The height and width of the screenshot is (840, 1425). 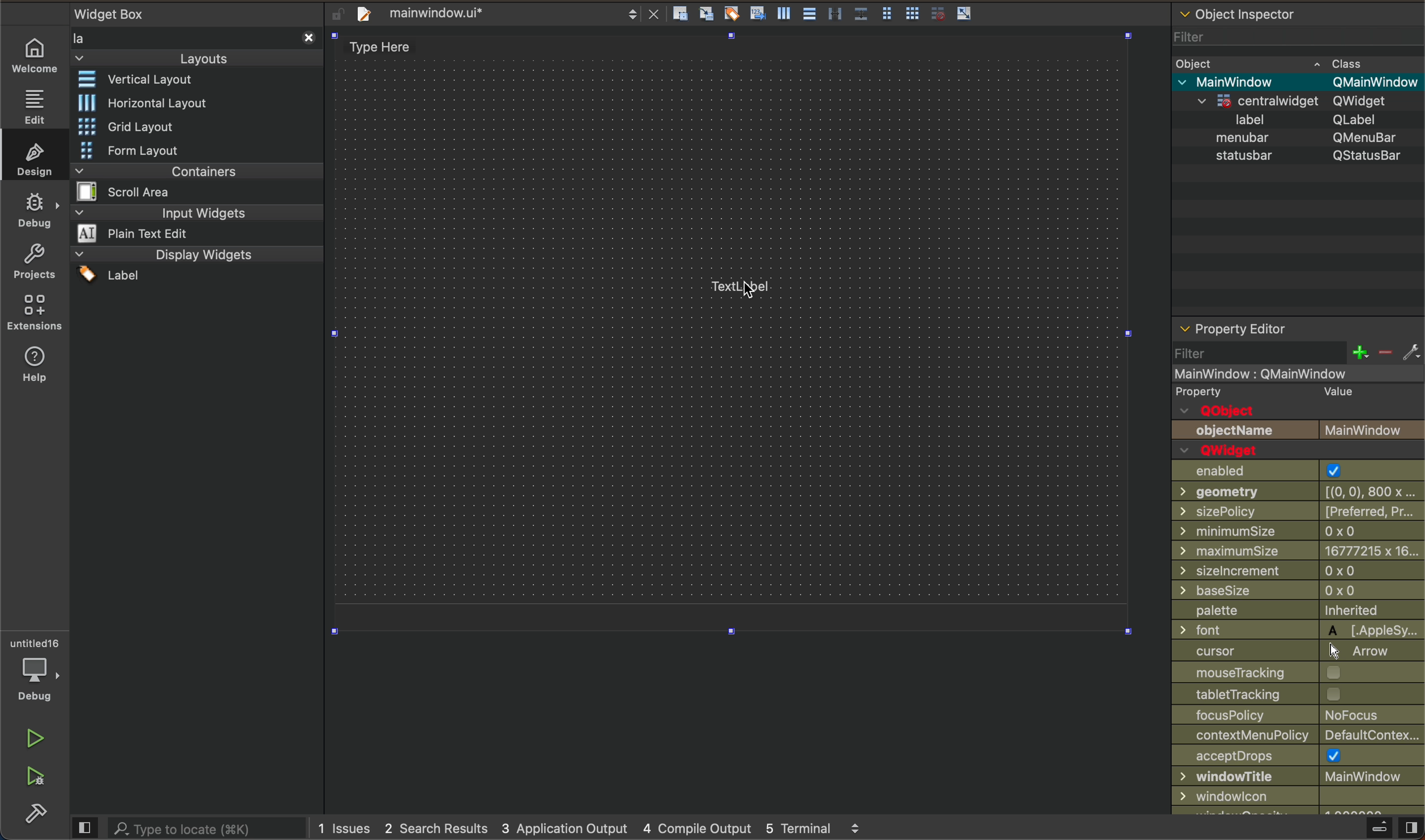 What do you see at coordinates (194, 264) in the screenshot?
I see `display widget` at bounding box center [194, 264].